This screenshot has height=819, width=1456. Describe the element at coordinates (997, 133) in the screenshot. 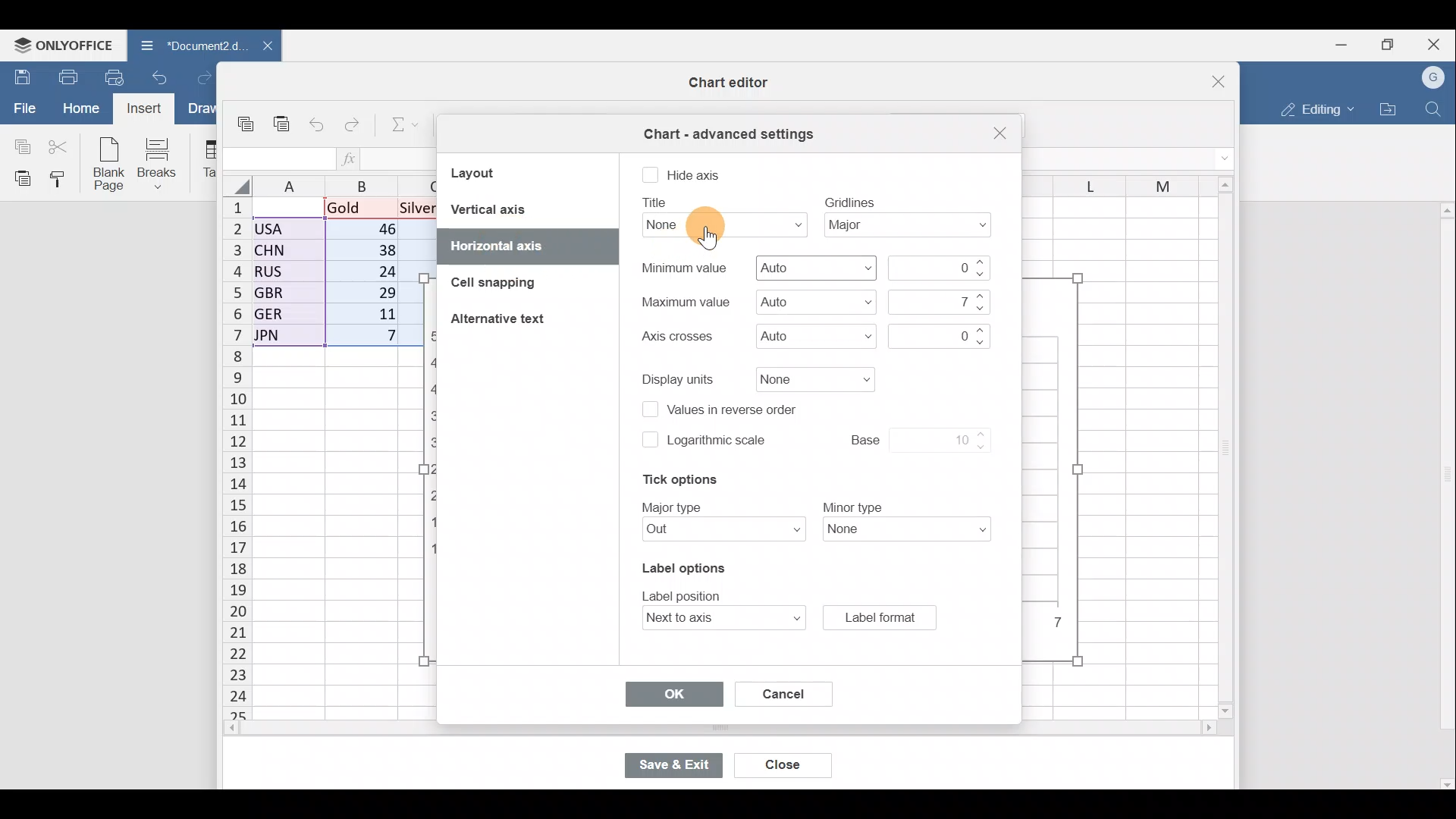

I see `Close` at that location.